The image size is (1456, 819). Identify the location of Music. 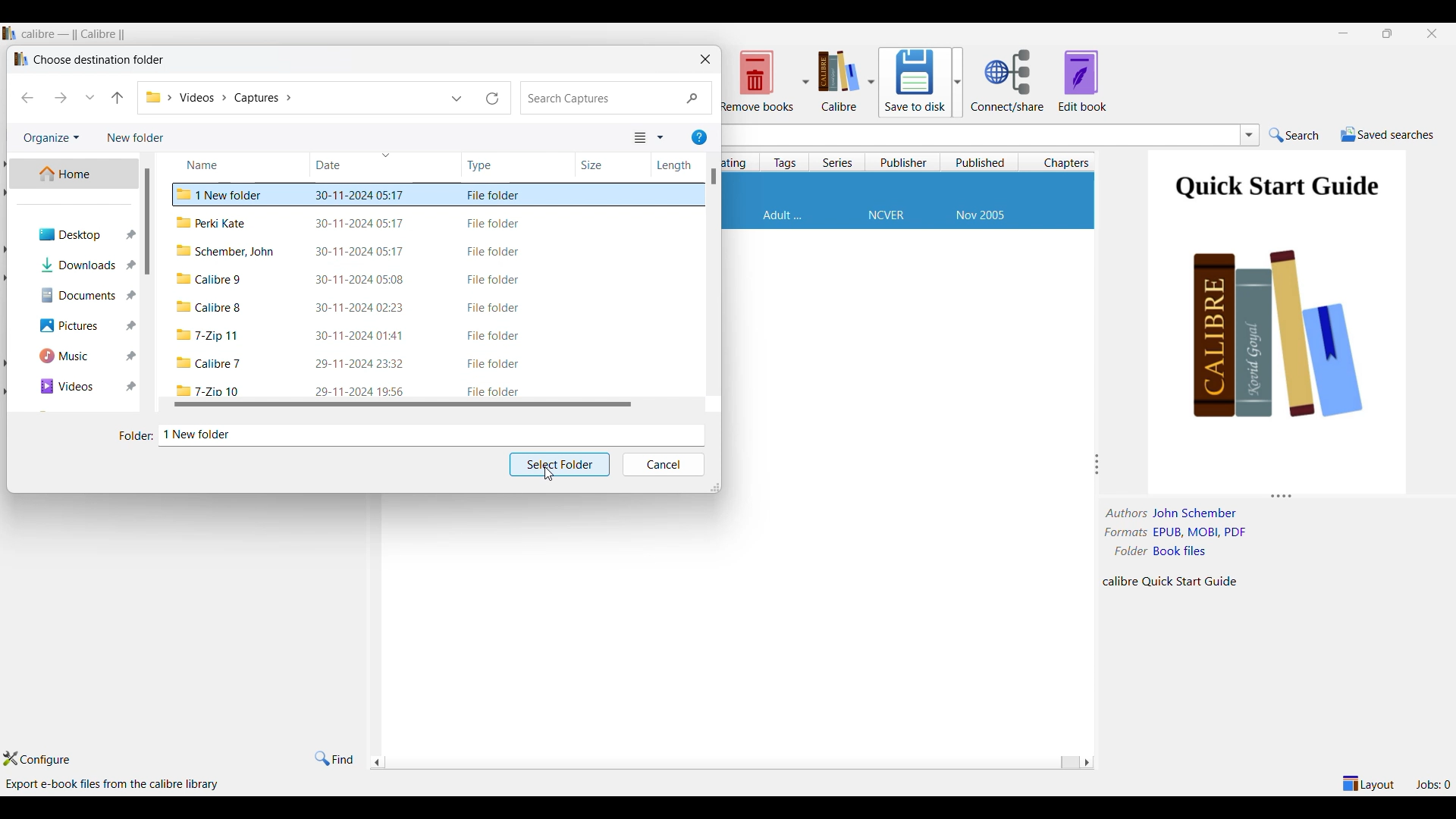
(77, 356).